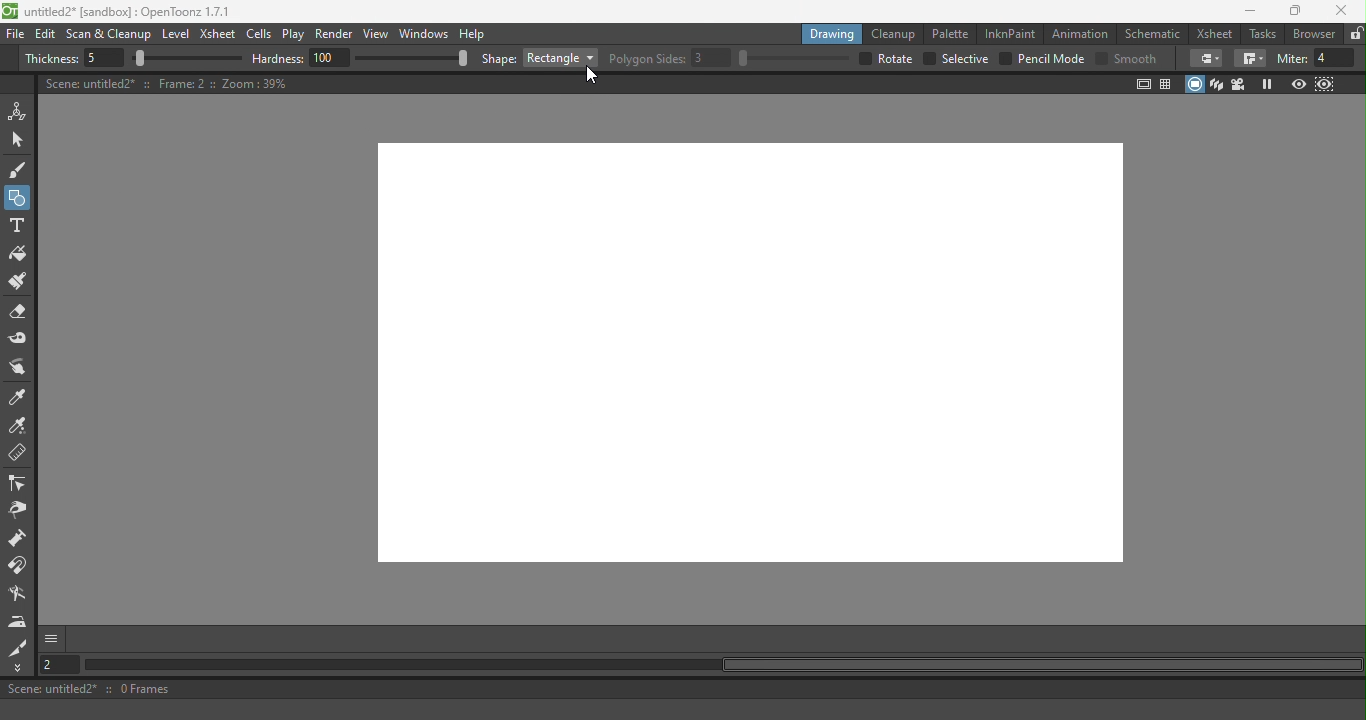 Image resolution: width=1366 pixels, height=720 pixels. What do you see at coordinates (471, 33) in the screenshot?
I see `Help` at bounding box center [471, 33].